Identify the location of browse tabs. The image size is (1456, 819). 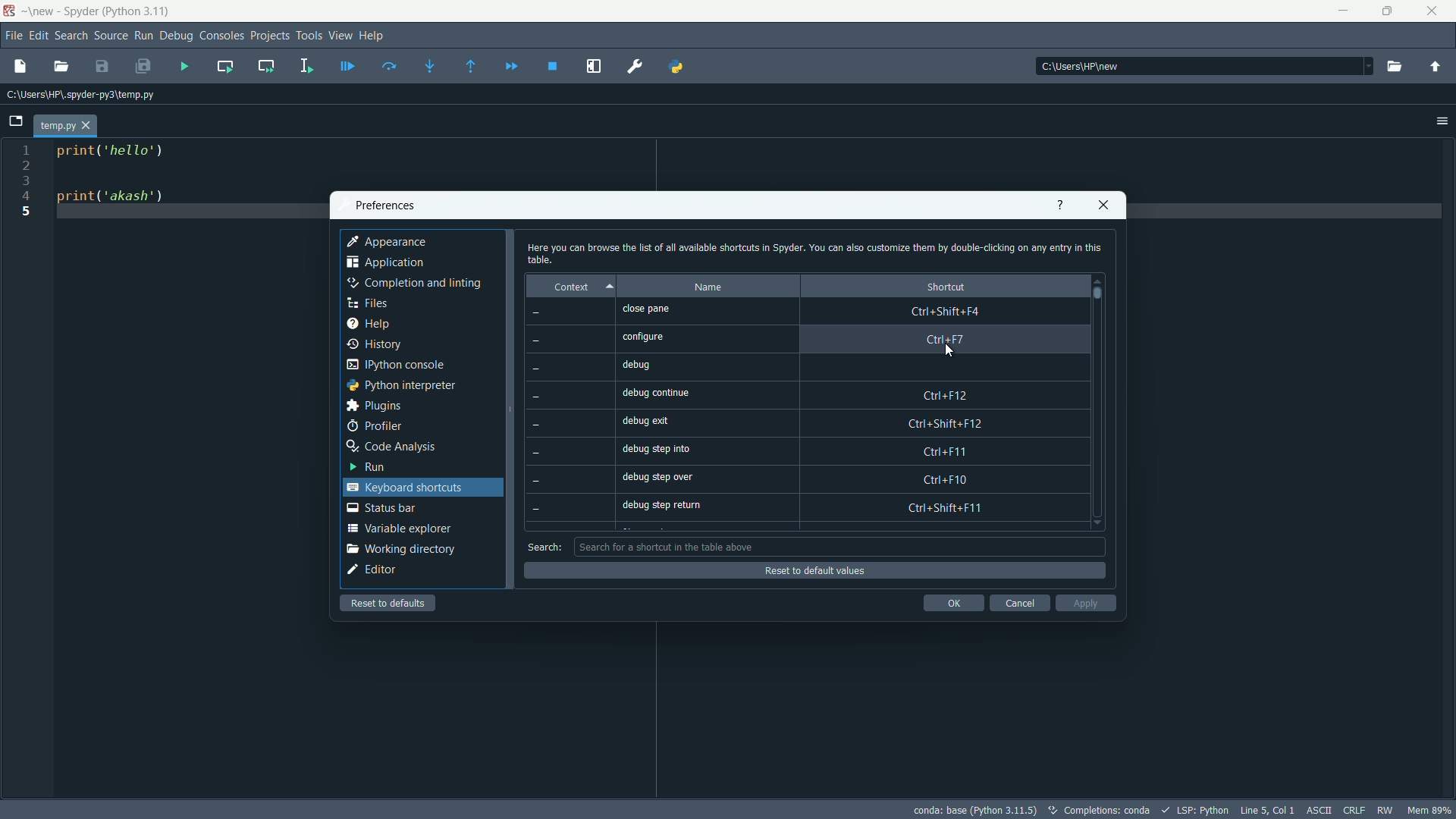
(15, 121).